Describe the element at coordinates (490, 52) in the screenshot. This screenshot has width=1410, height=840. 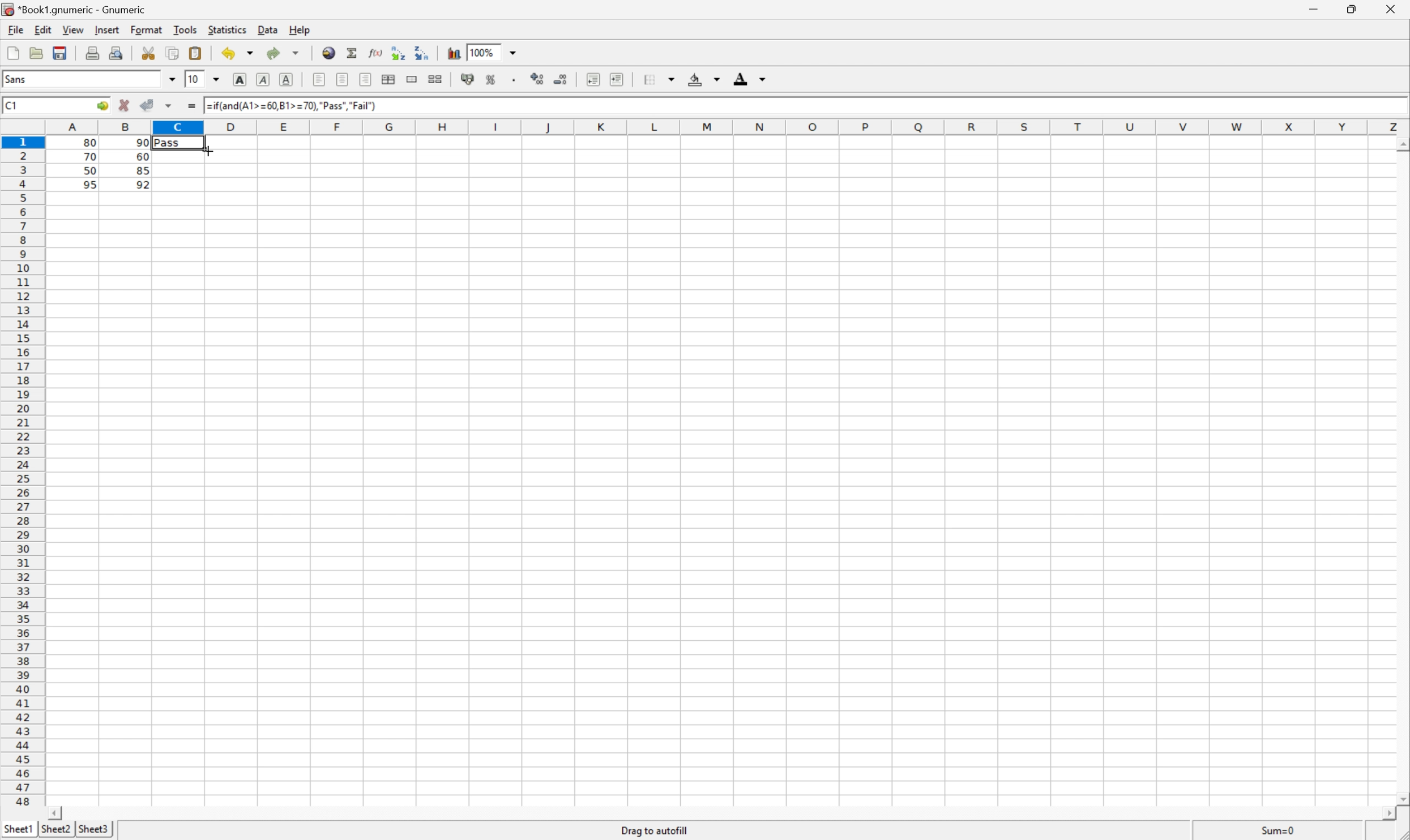
I see `100%` at that location.